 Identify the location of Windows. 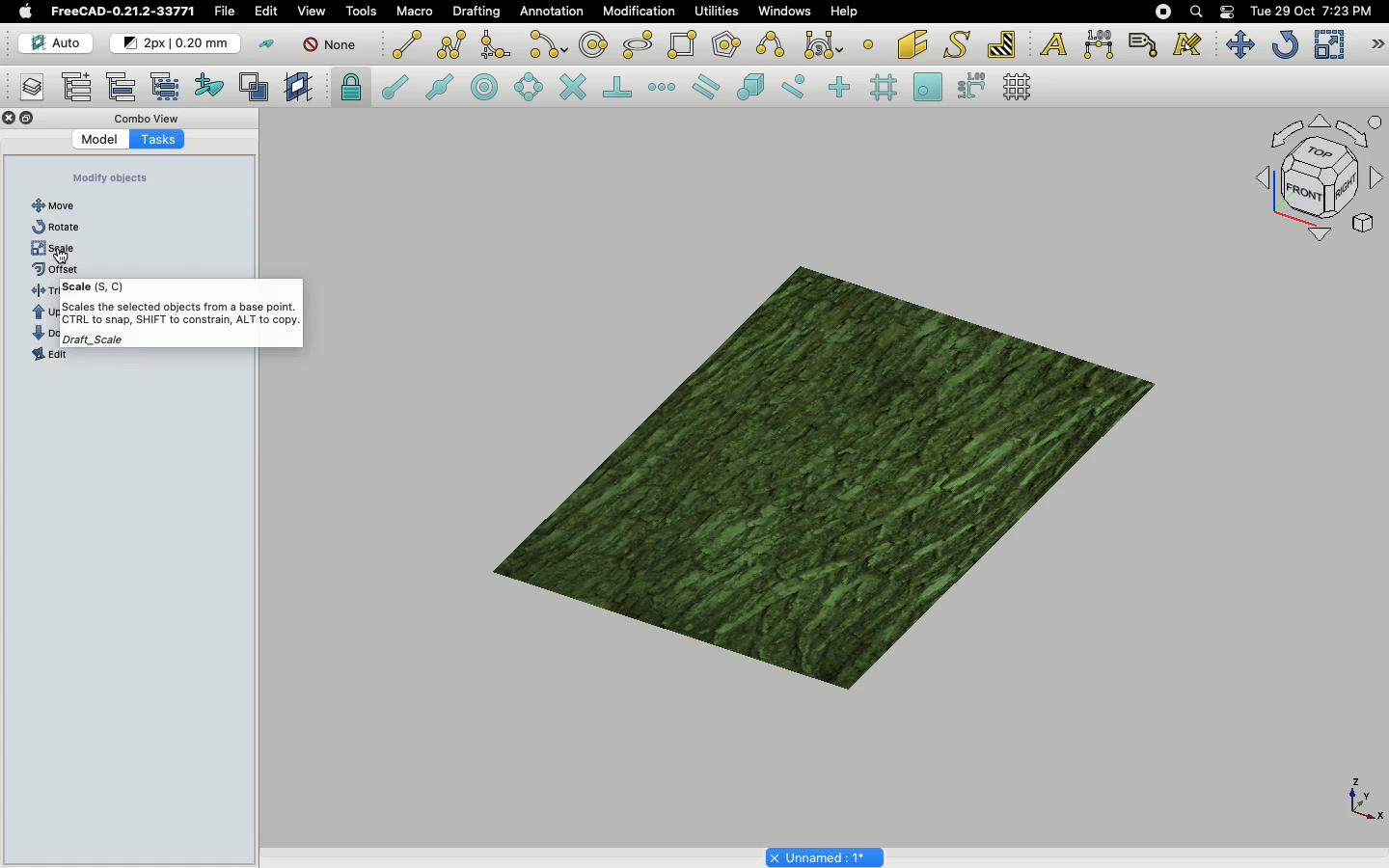
(782, 12).